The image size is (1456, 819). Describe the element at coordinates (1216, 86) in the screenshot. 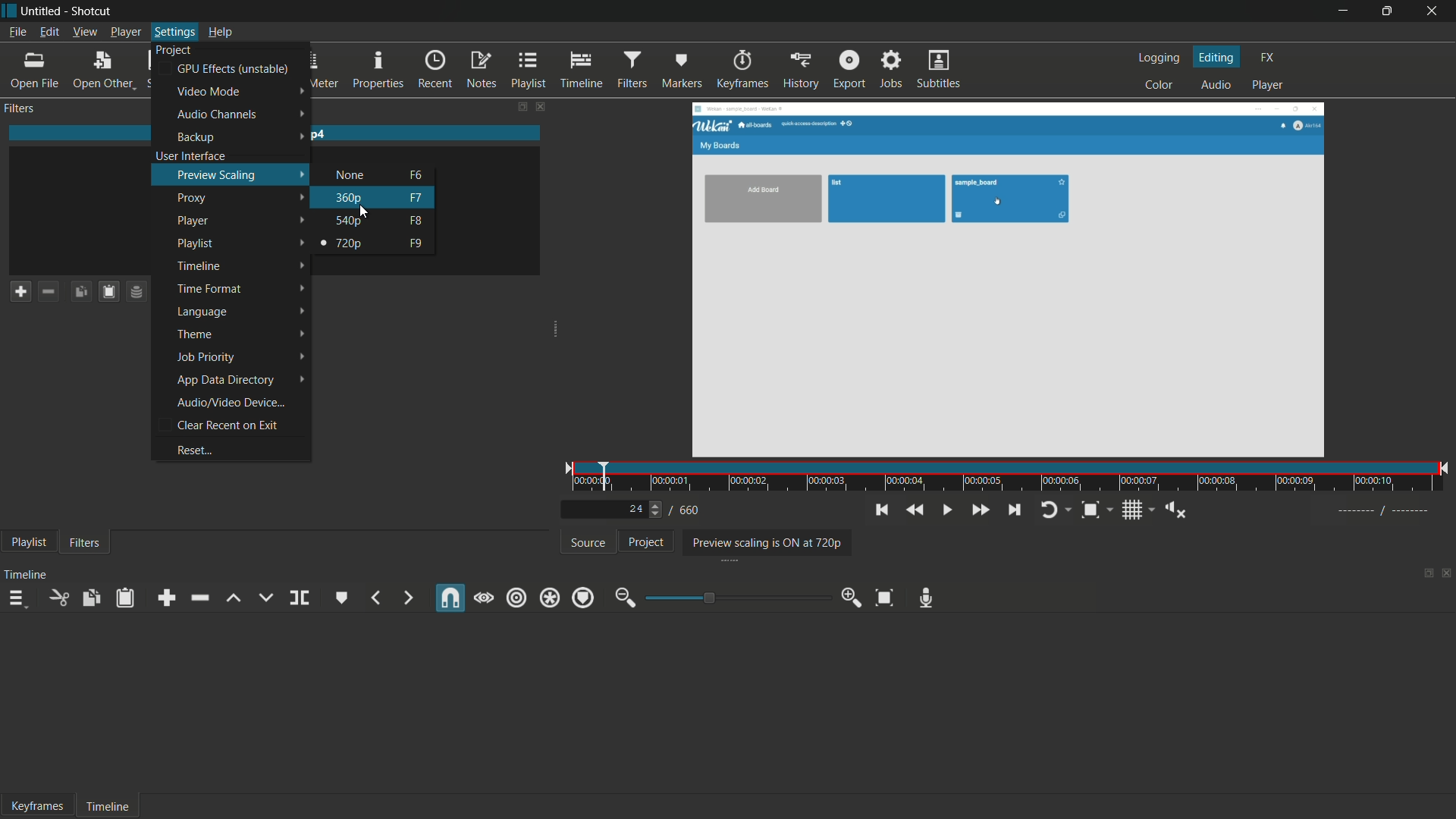

I see `audio` at that location.